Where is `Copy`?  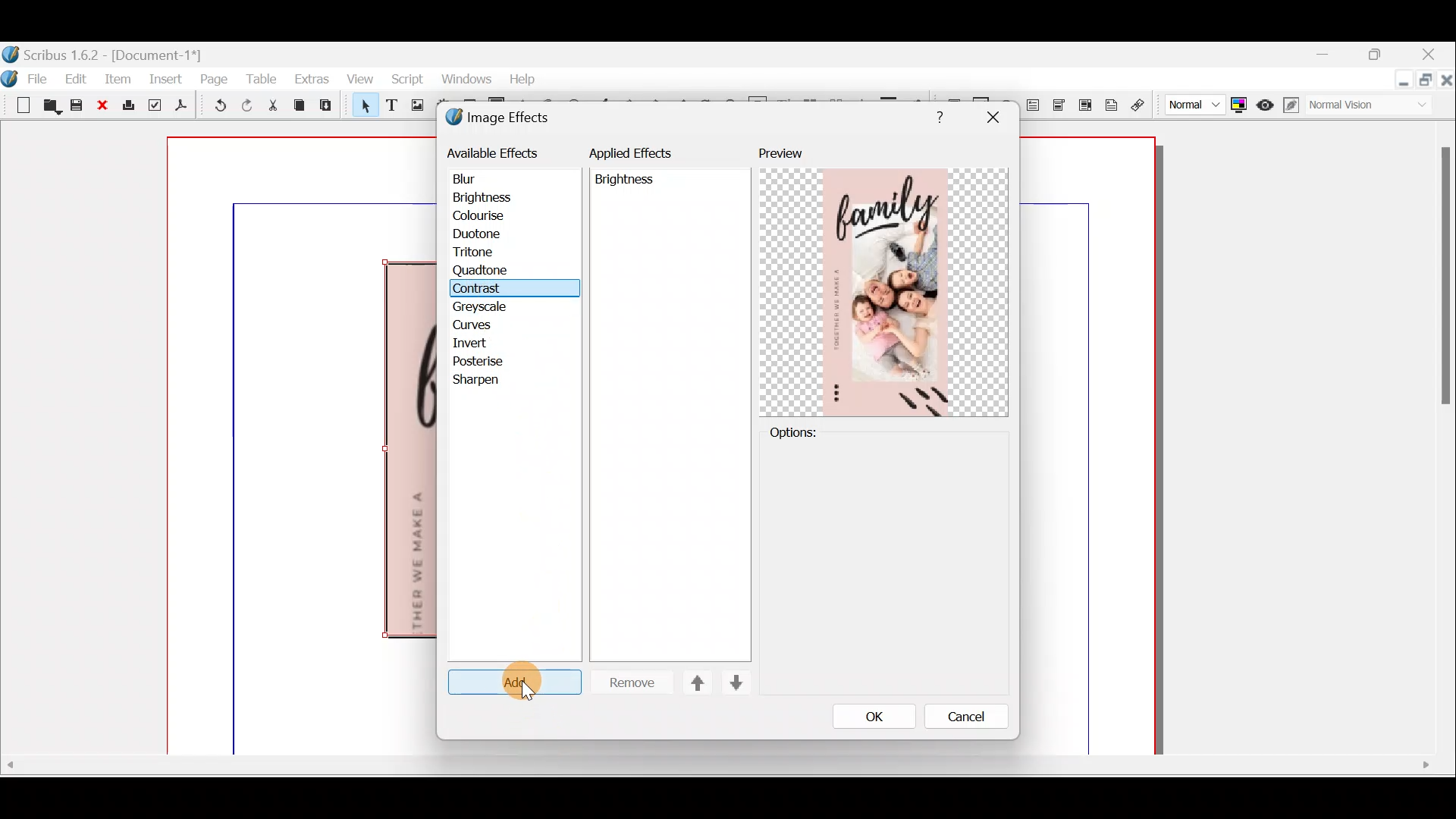 Copy is located at coordinates (300, 105).